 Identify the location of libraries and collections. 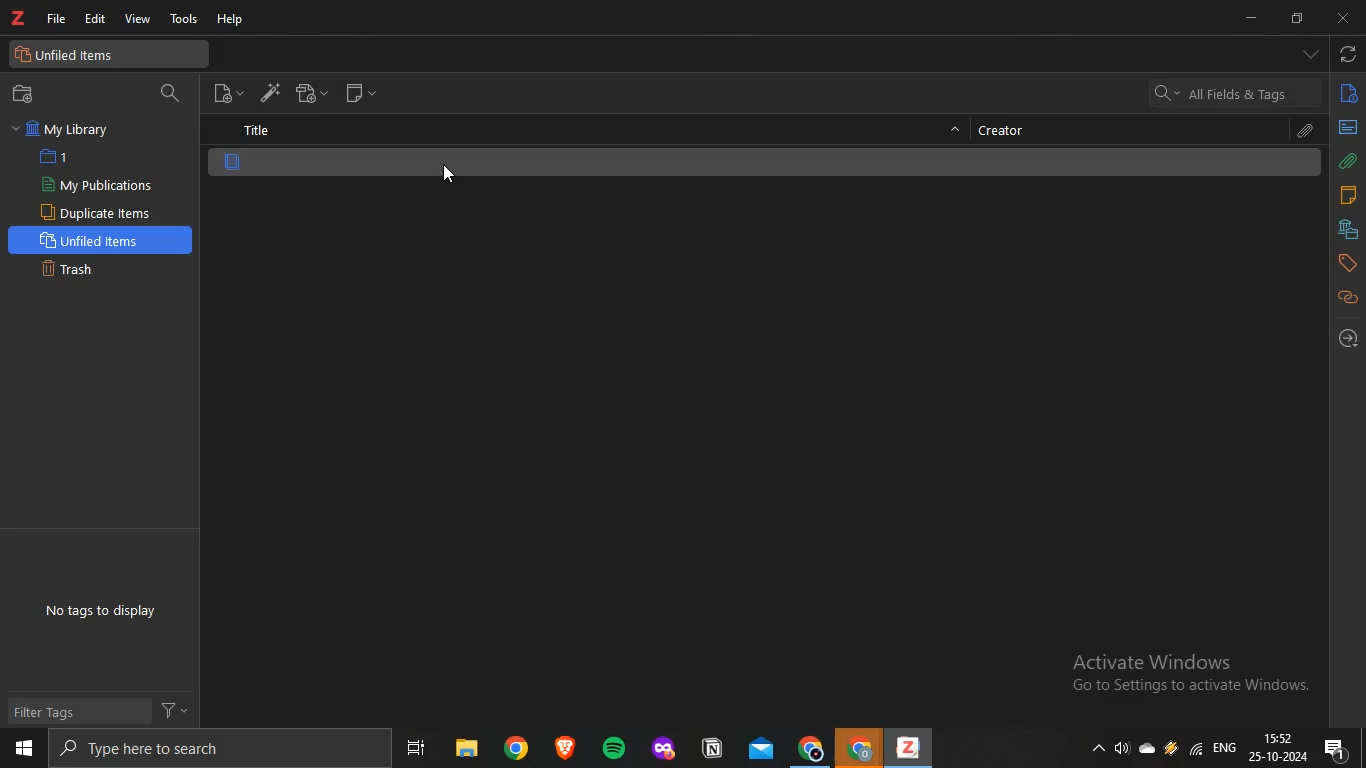
(1348, 228).